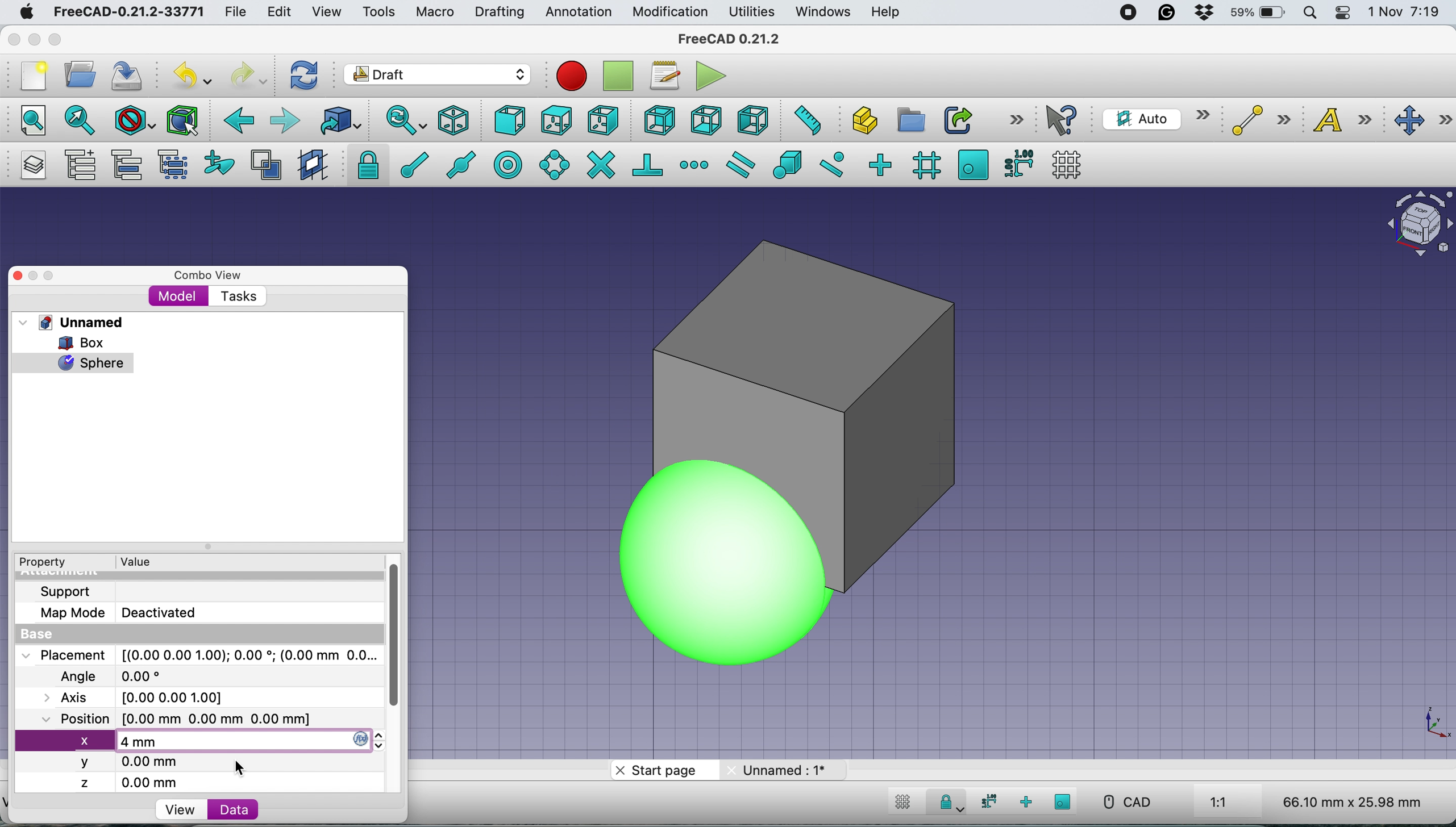 Image resolution: width=1456 pixels, height=827 pixels. What do you see at coordinates (509, 164) in the screenshot?
I see `snap center` at bounding box center [509, 164].